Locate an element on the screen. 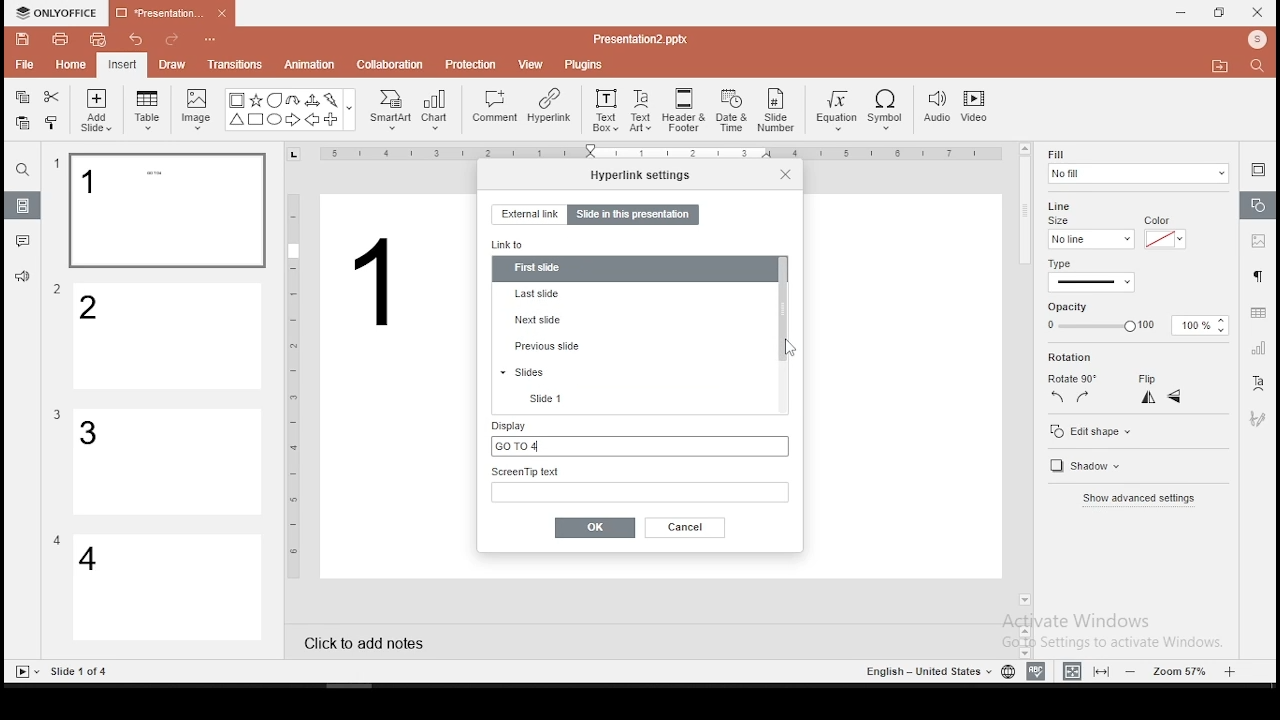 The width and height of the screenshot is (1280, 720). opacity is located at coordinates (1134, 326).